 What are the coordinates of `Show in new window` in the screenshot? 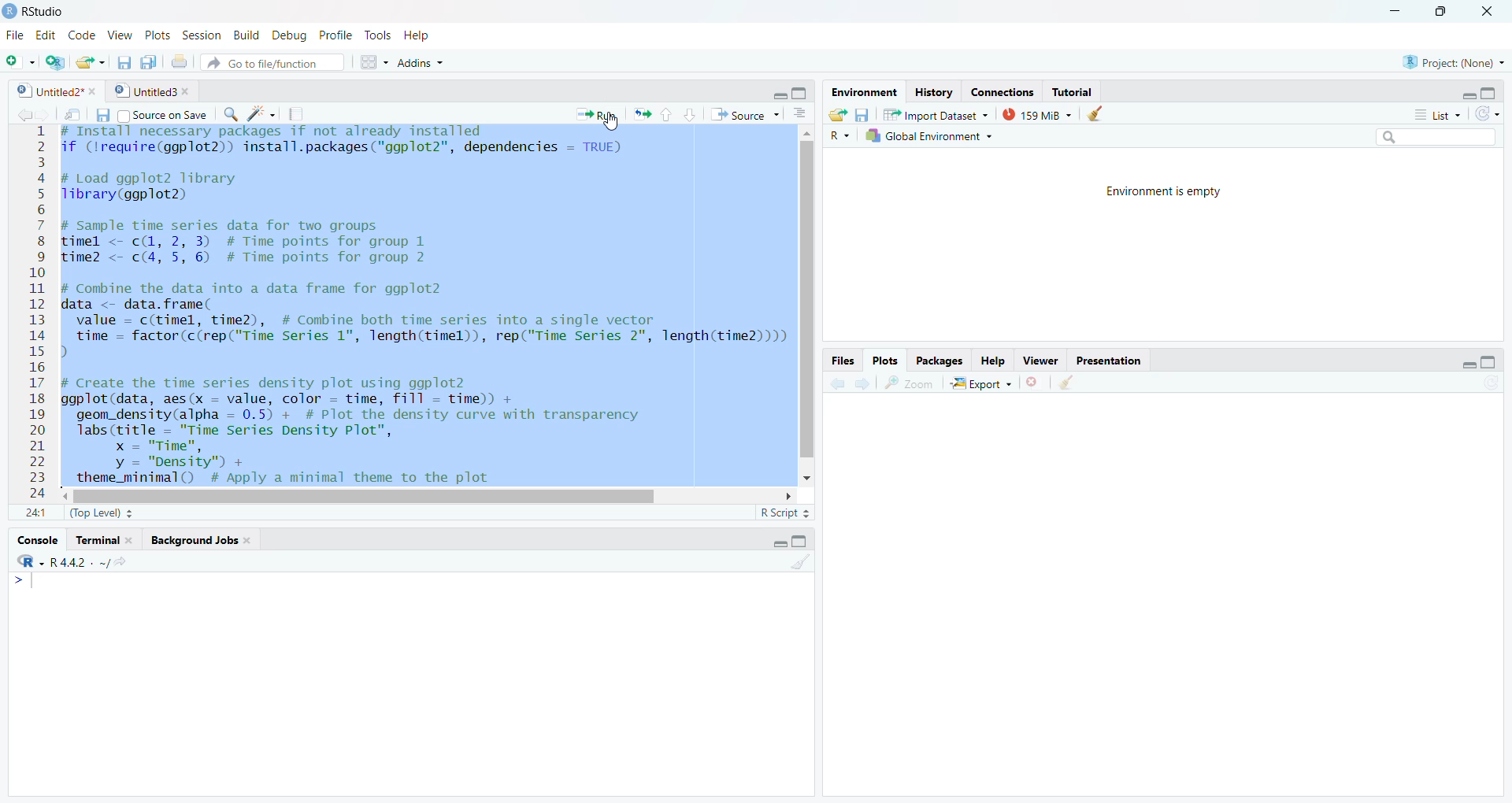 It's located at (72, 117).